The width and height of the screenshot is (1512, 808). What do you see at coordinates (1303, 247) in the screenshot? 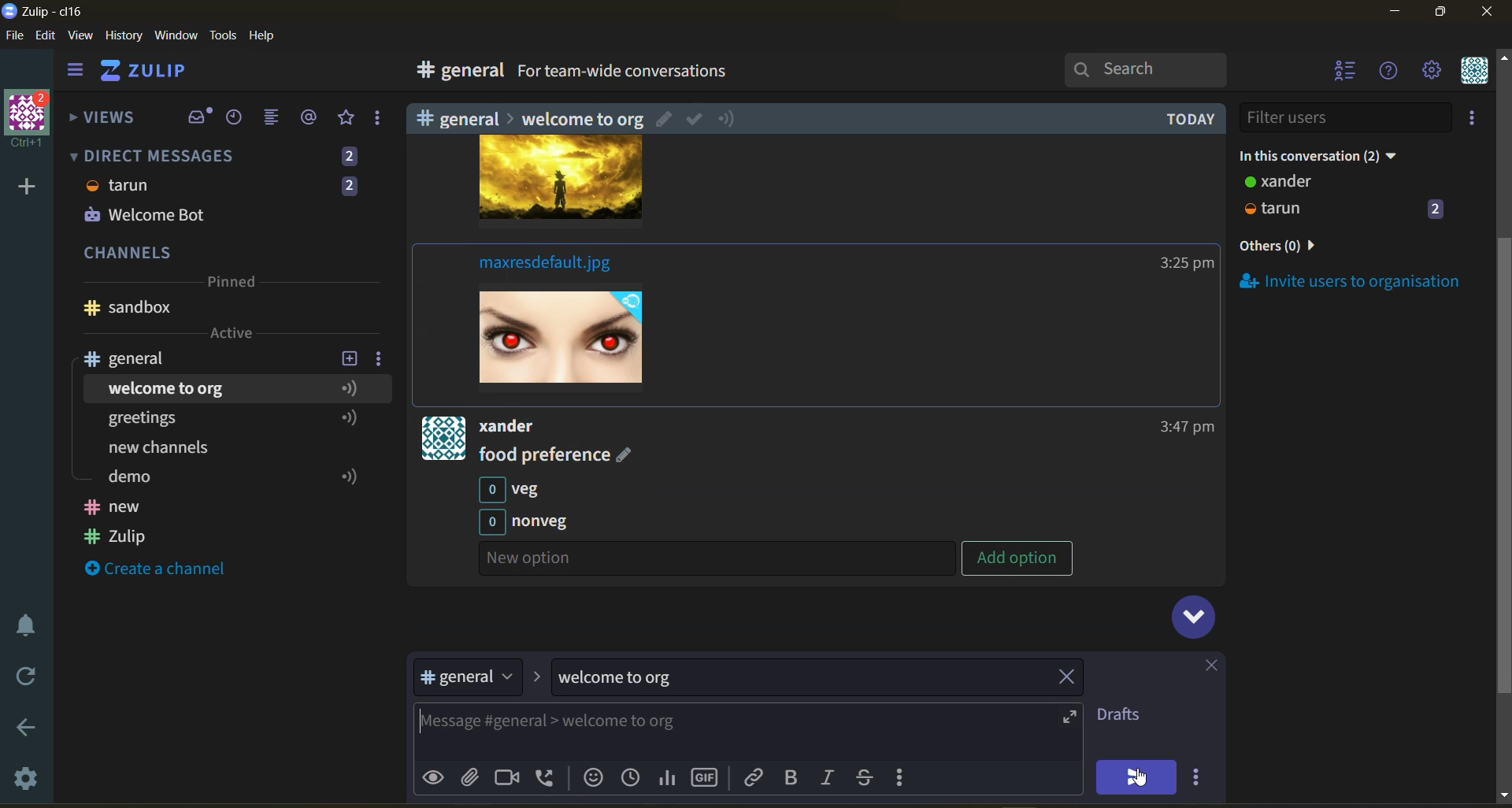
I see `others` at bounding box center [1303, 247].